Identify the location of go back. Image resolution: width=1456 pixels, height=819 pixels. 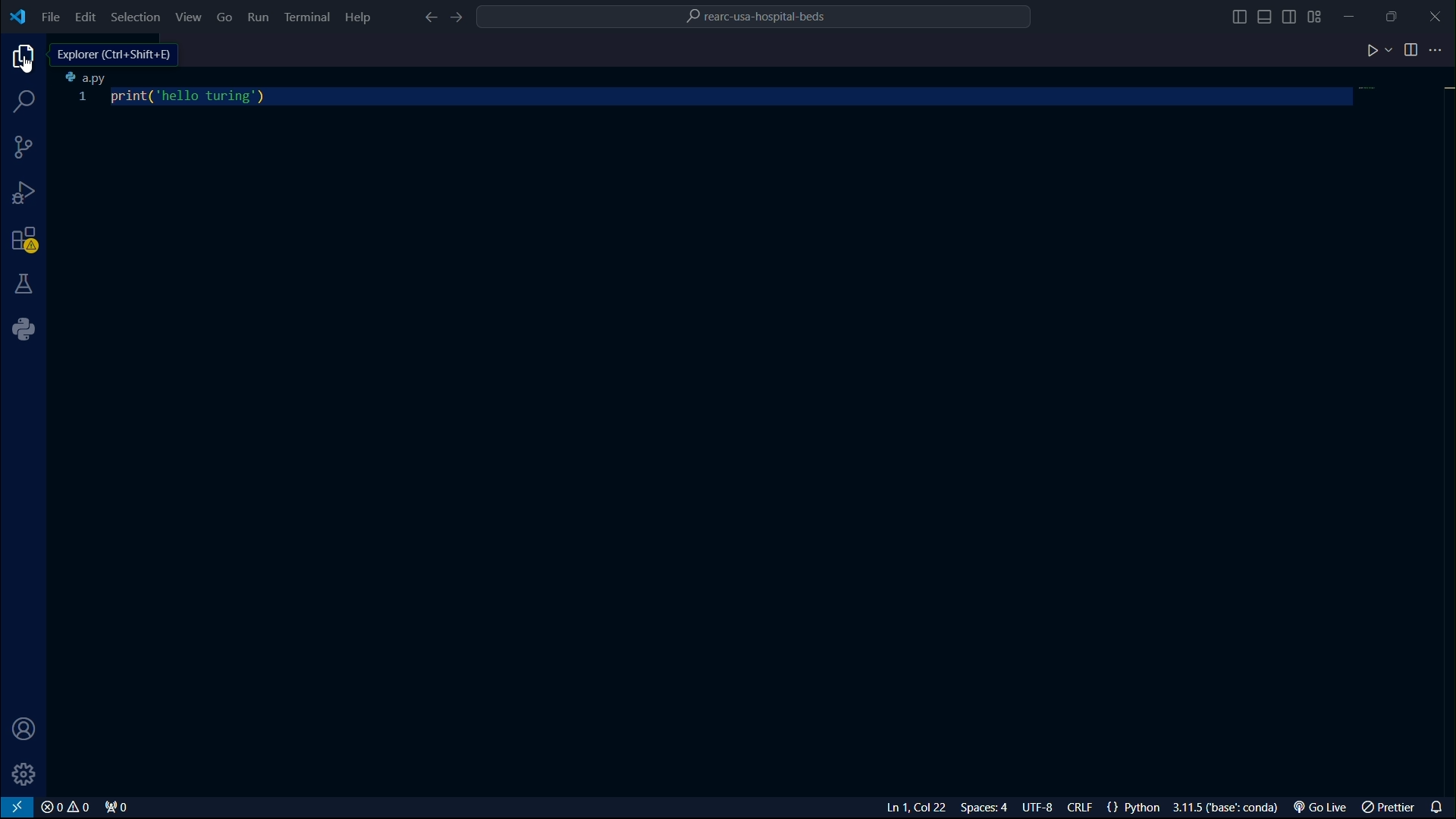
(430, 18).